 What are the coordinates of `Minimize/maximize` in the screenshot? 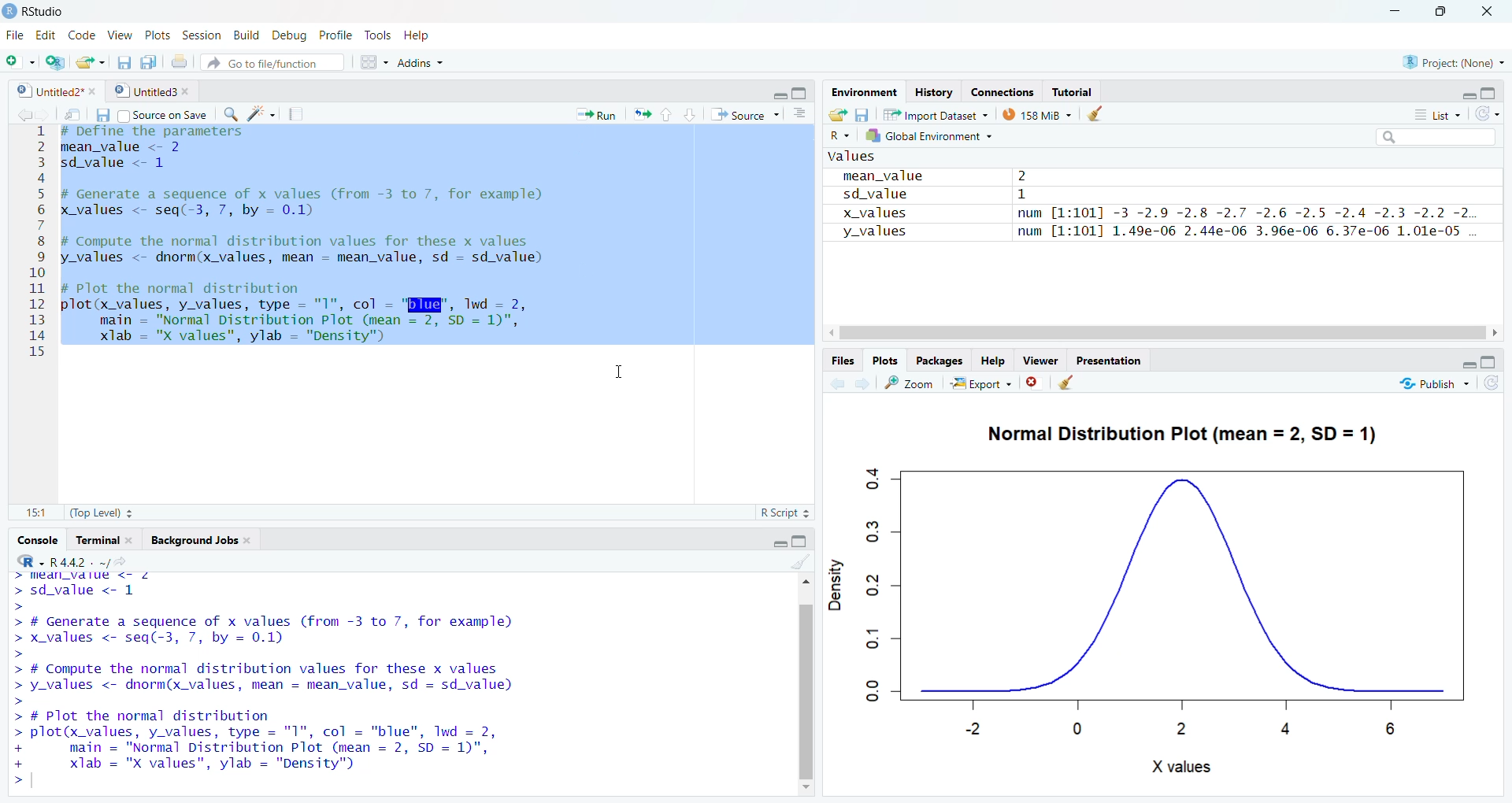 It's located at (1466, 92).